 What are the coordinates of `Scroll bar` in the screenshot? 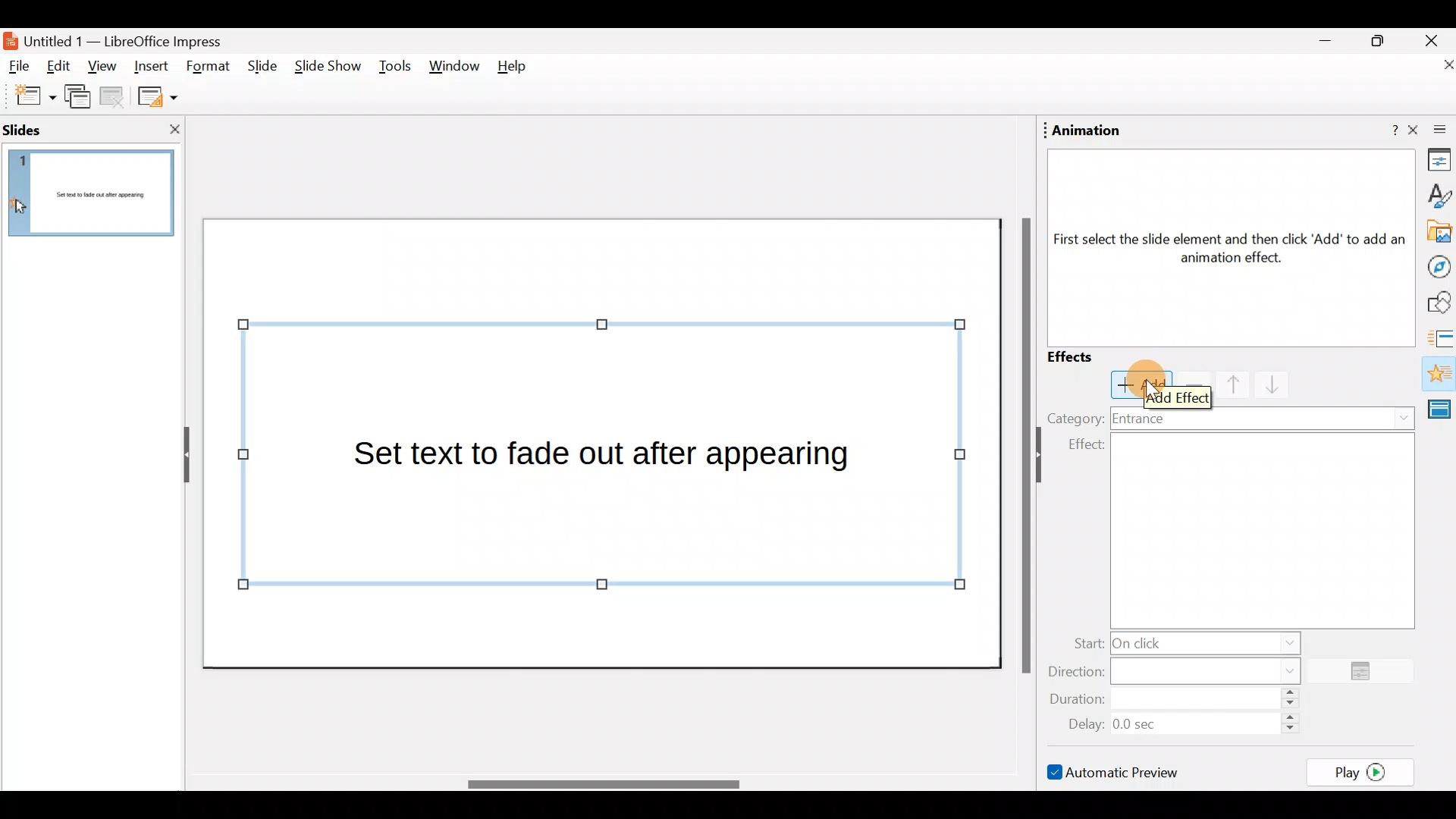 It's located at (601, 784).